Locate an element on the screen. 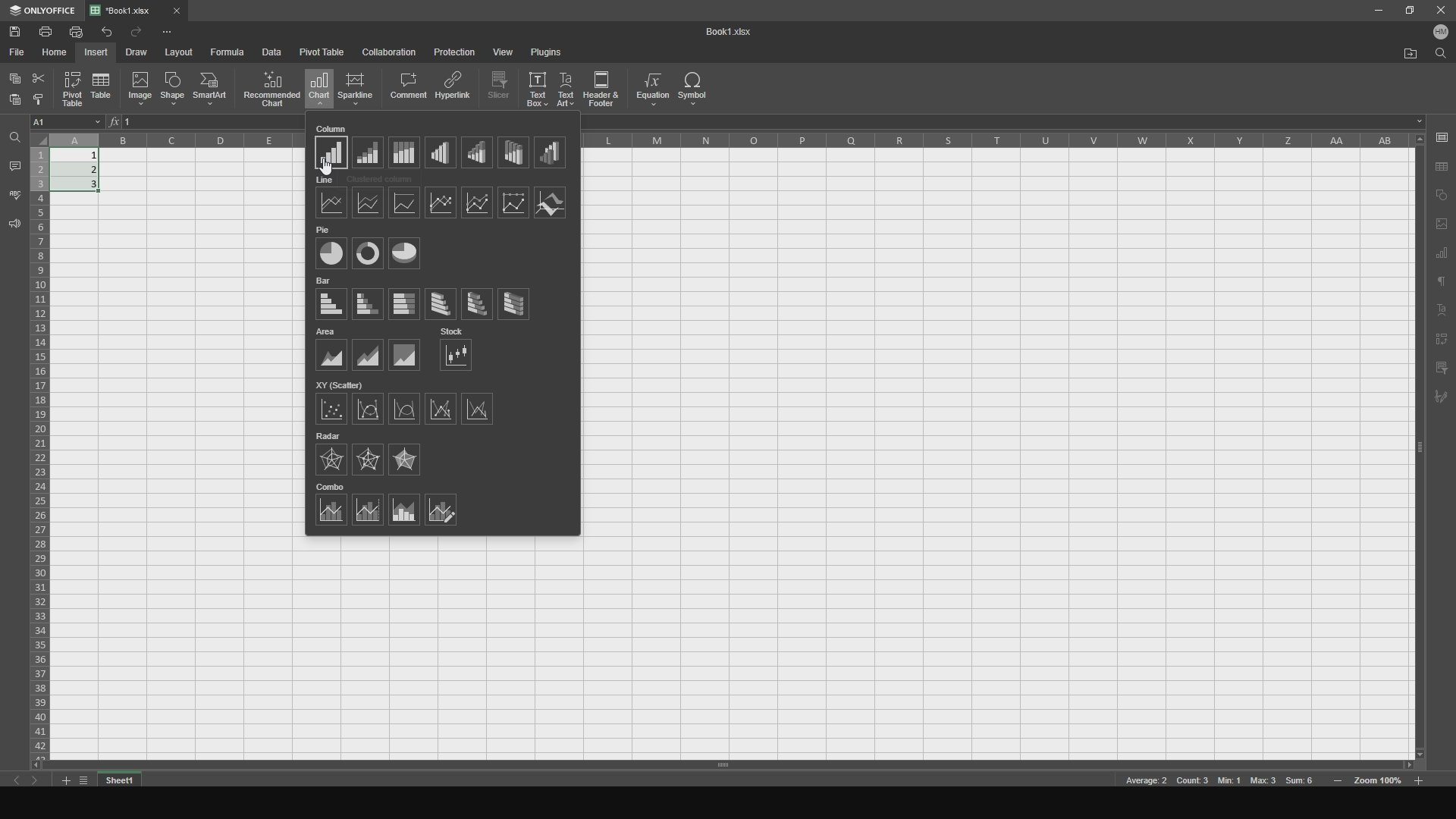 The width and height of the screenshot is (1456, 819). cursor is located at coordinates (337, 168).